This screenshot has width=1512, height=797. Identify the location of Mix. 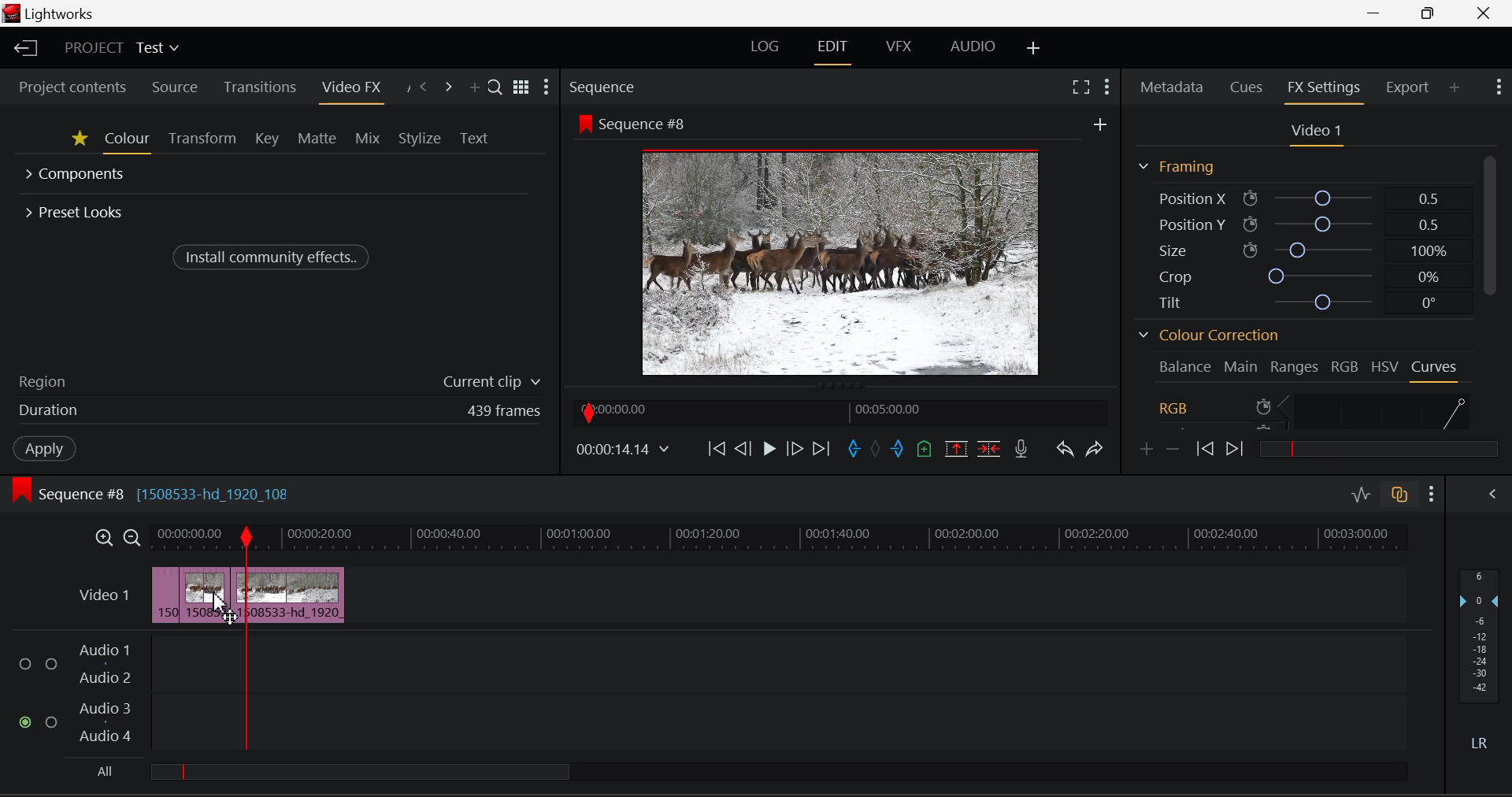
(369, 139).